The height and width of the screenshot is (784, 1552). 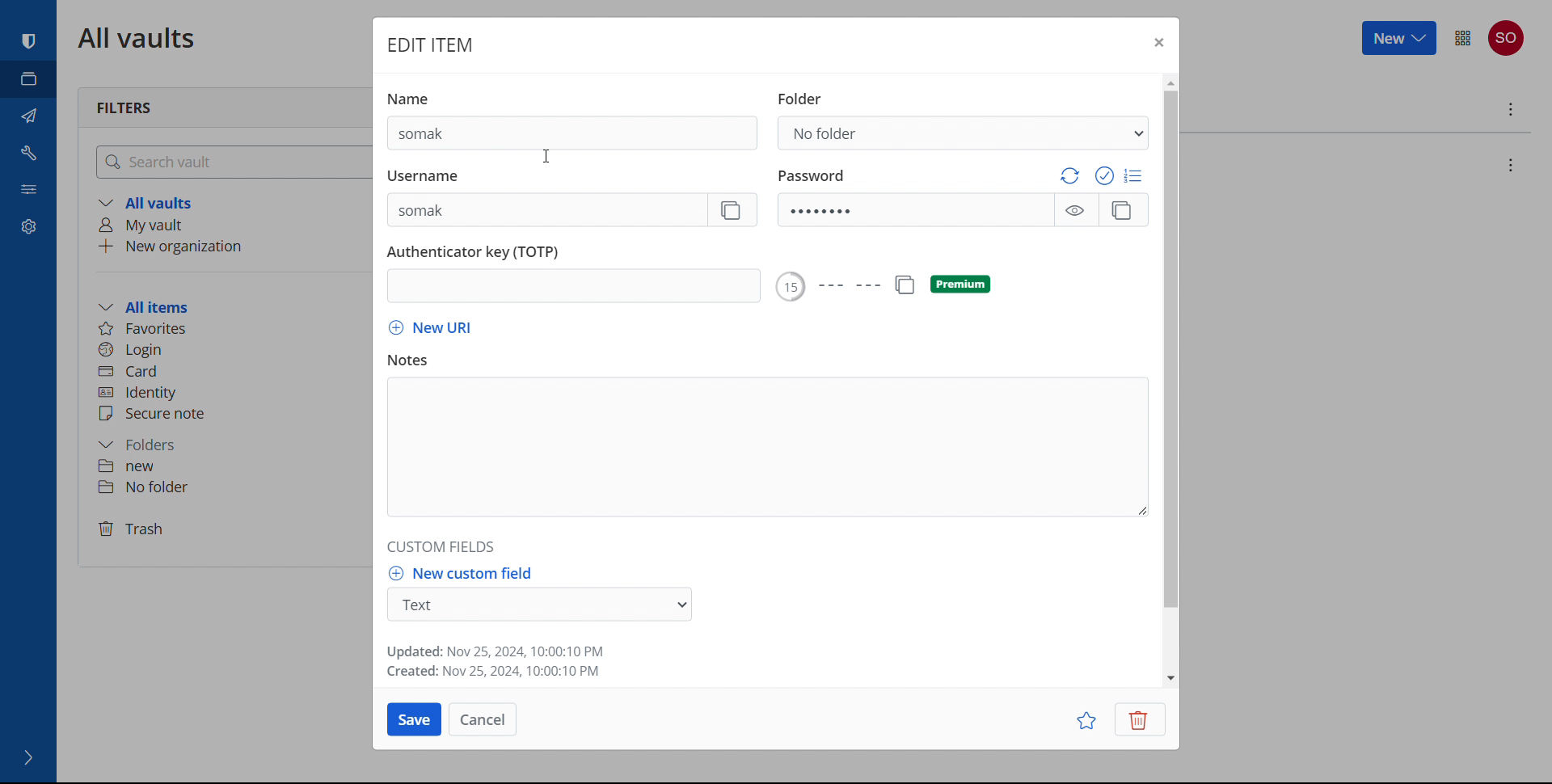 What do you see at coordinates (28, 187) in the screenshot?
I see `reports` at bounding box center [28, 187].